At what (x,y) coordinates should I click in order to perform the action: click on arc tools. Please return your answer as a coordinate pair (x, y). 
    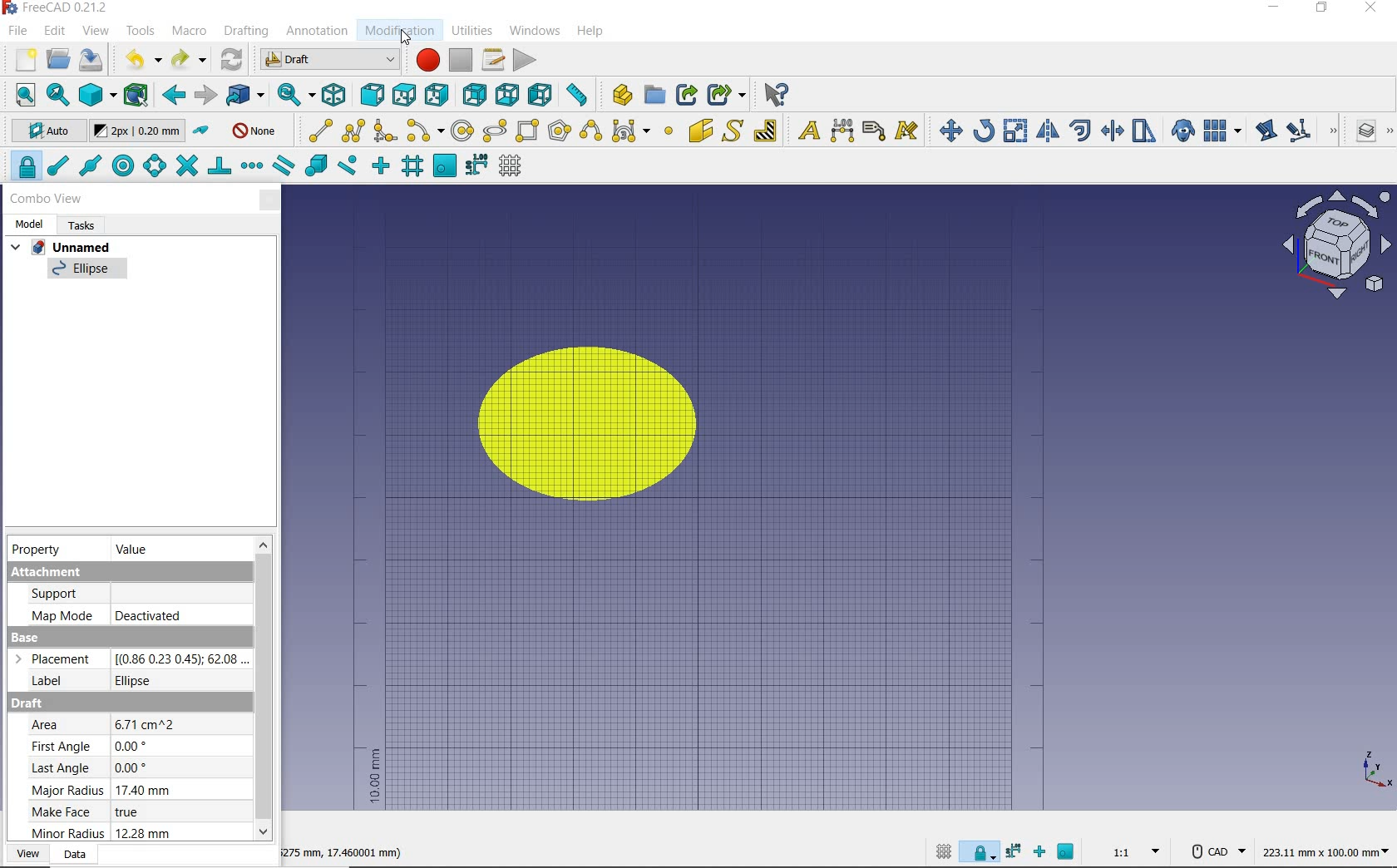
    Looking at the image, I should click on (426, 131).